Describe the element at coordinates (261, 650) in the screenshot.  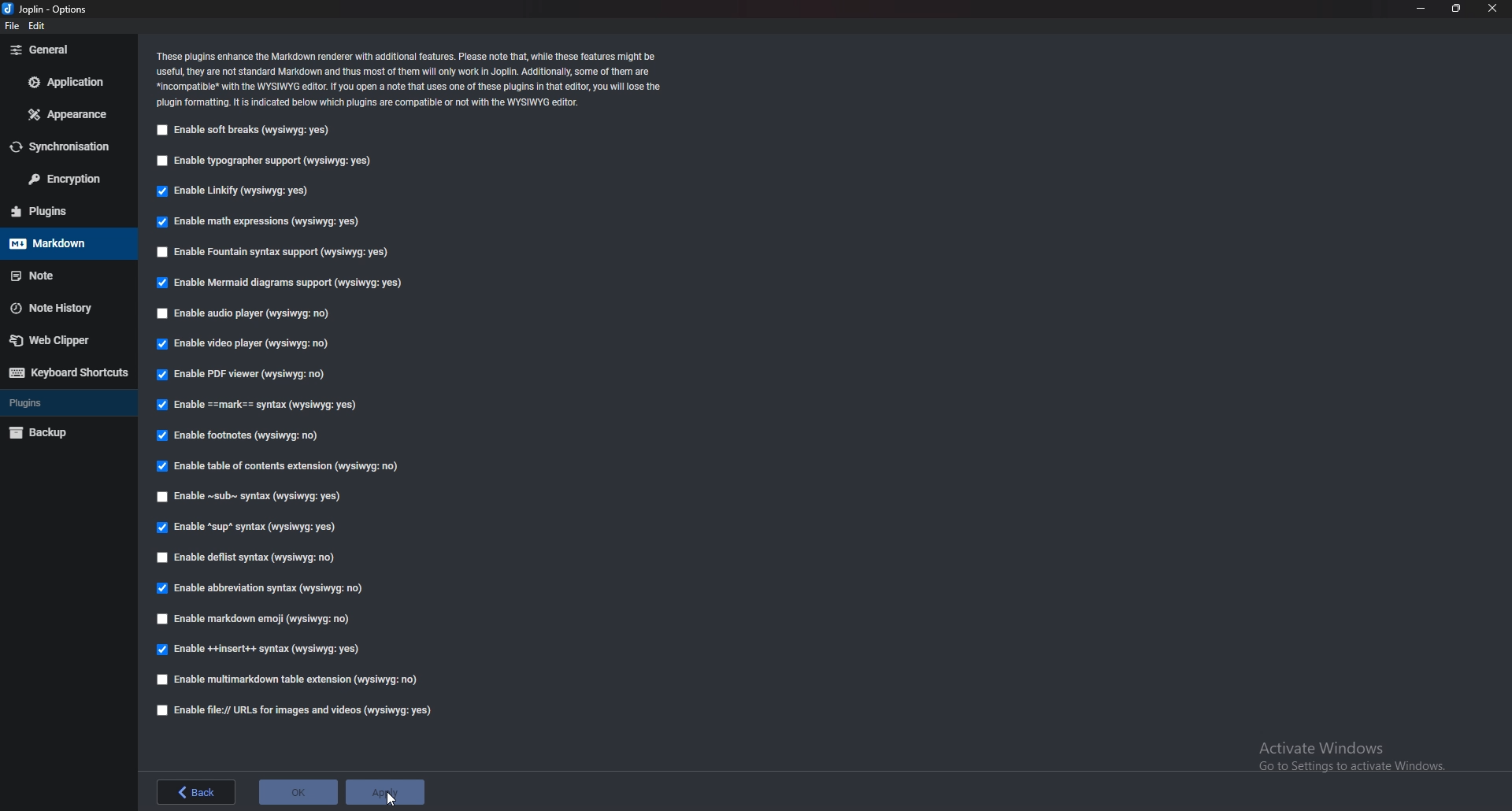
I see `enable insert syntax` at that location.